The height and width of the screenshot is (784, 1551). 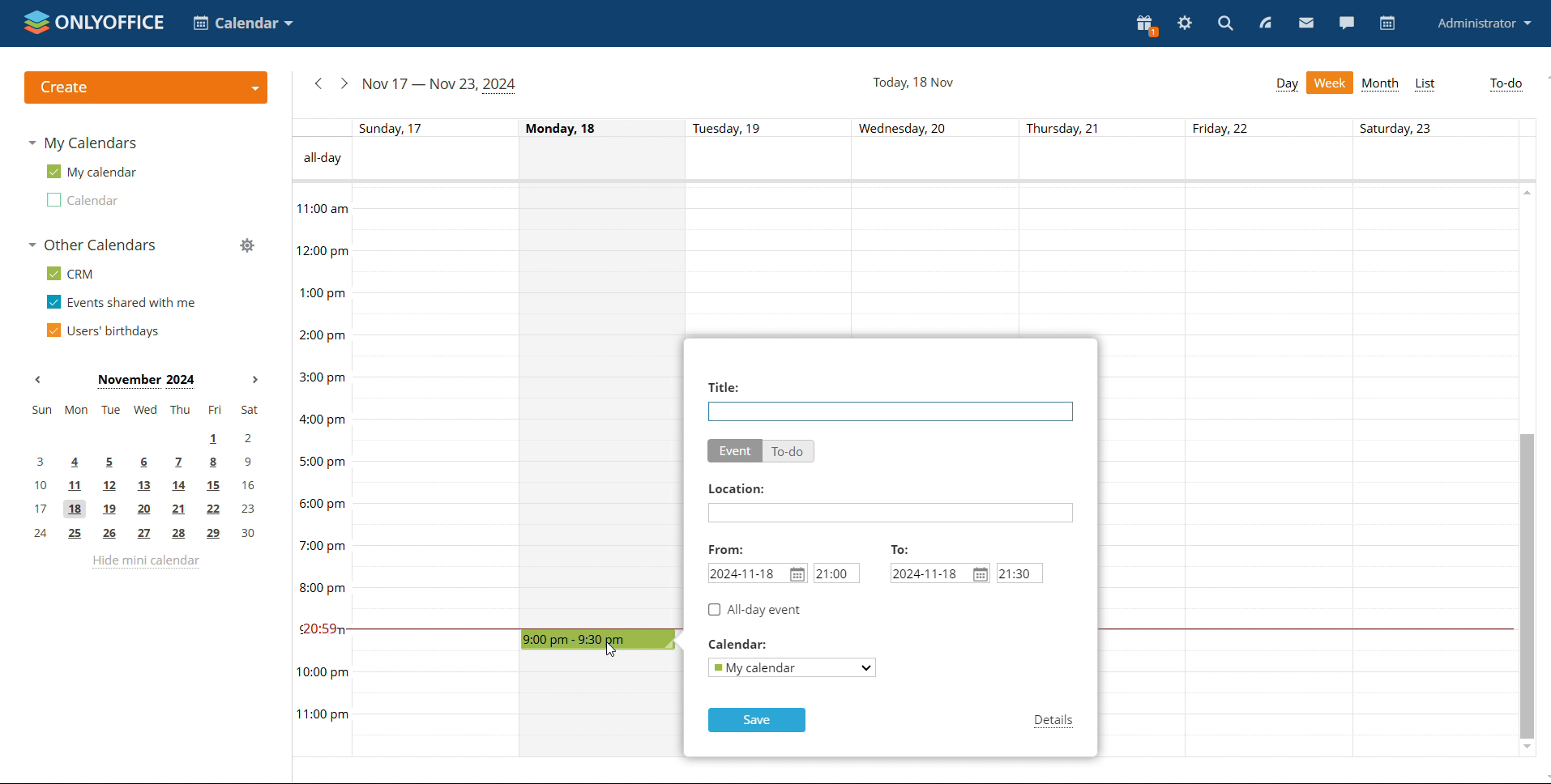 I want to click on present, so click(x=1146, y=25).